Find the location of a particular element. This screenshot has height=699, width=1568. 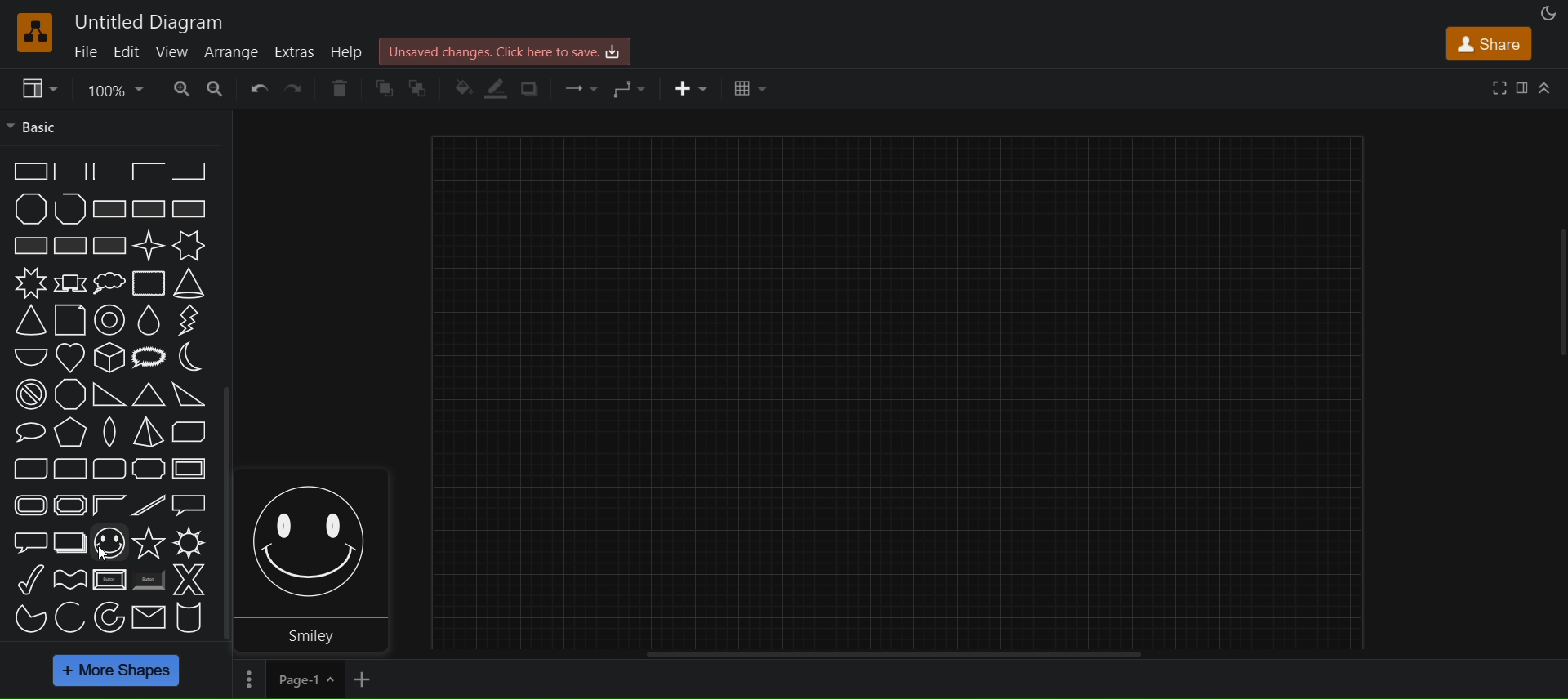

plaque frame is located at coordinates (69, 505).